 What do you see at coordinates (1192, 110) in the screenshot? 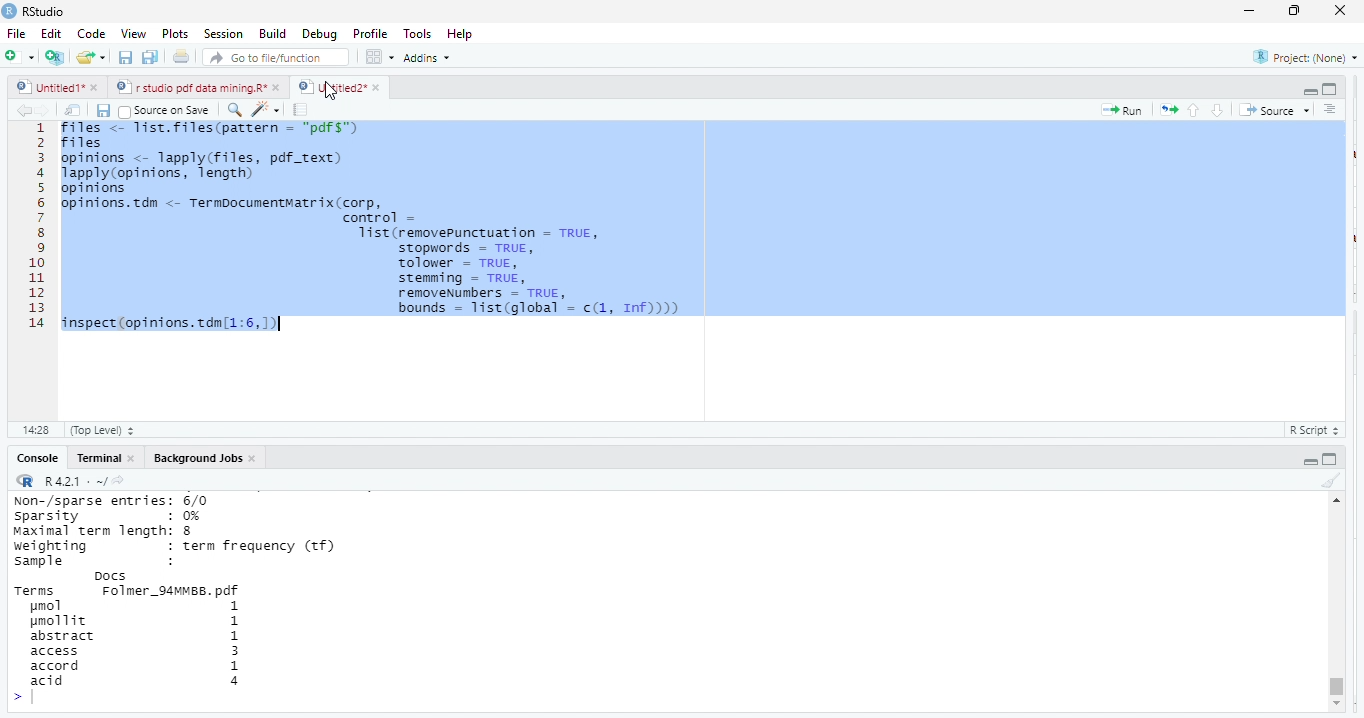
I see `go to previous section/chunk` at bounding box center [1192, 110].